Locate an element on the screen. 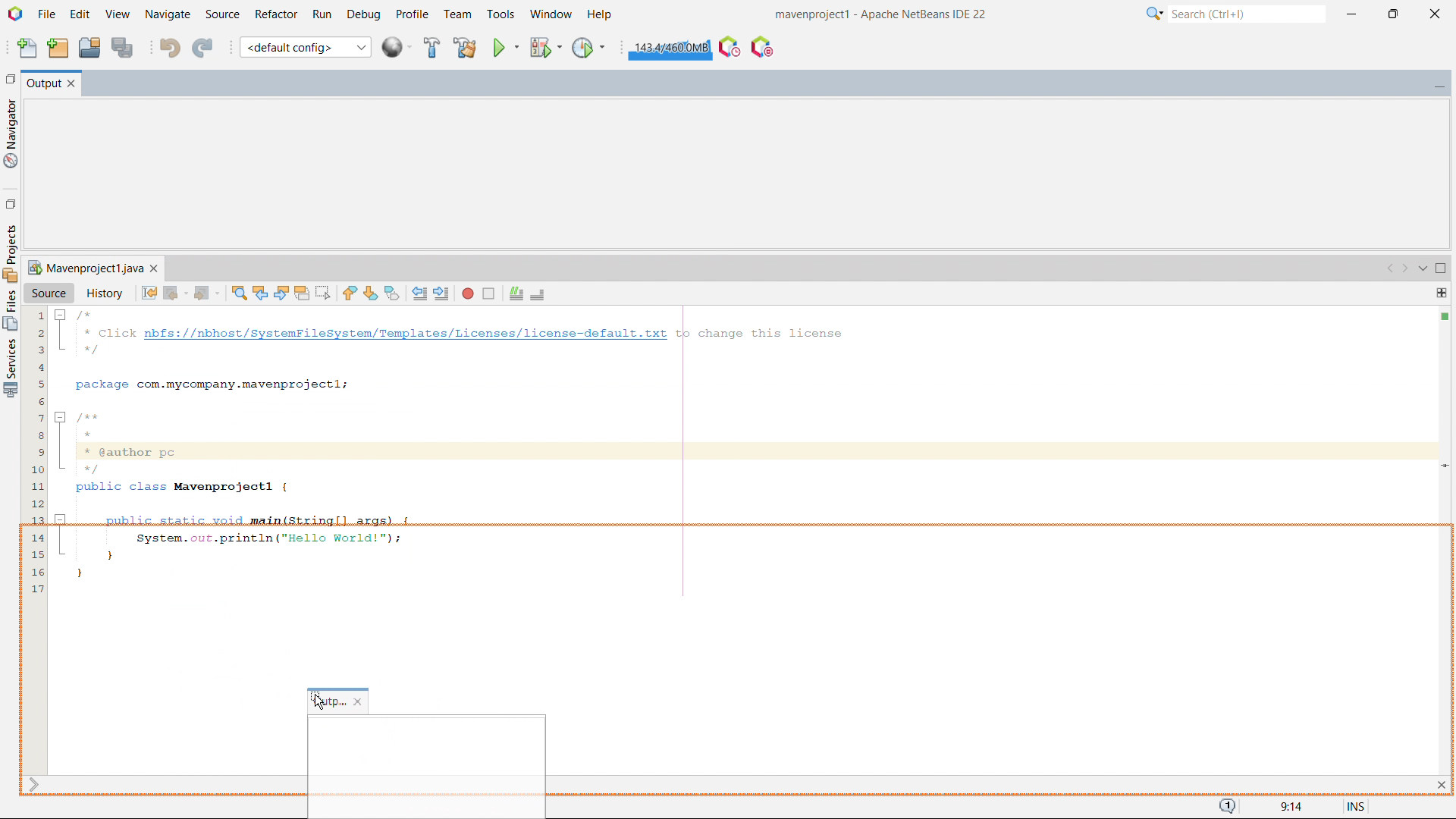 This screenshot has height=819, width=1456. run is located at coordinates (322, 15).